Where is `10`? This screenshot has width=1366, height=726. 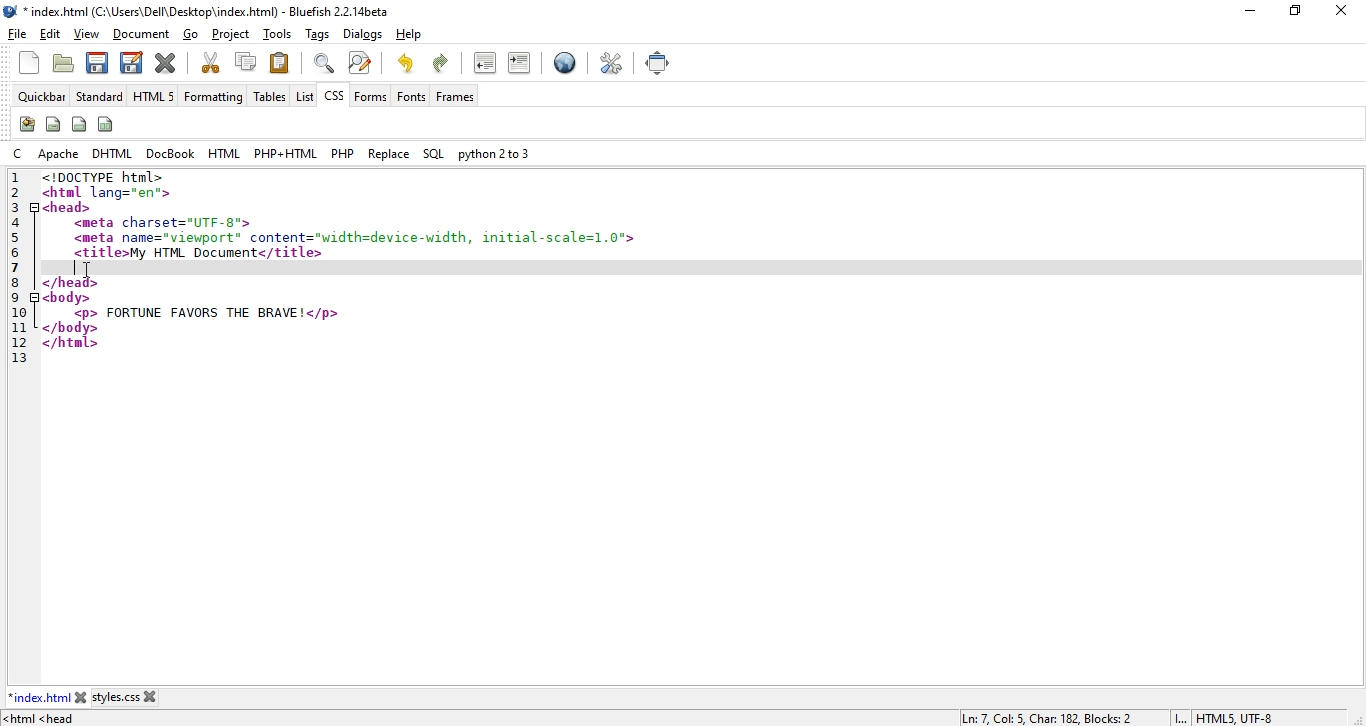 10 is located at coordinates (22, 312).